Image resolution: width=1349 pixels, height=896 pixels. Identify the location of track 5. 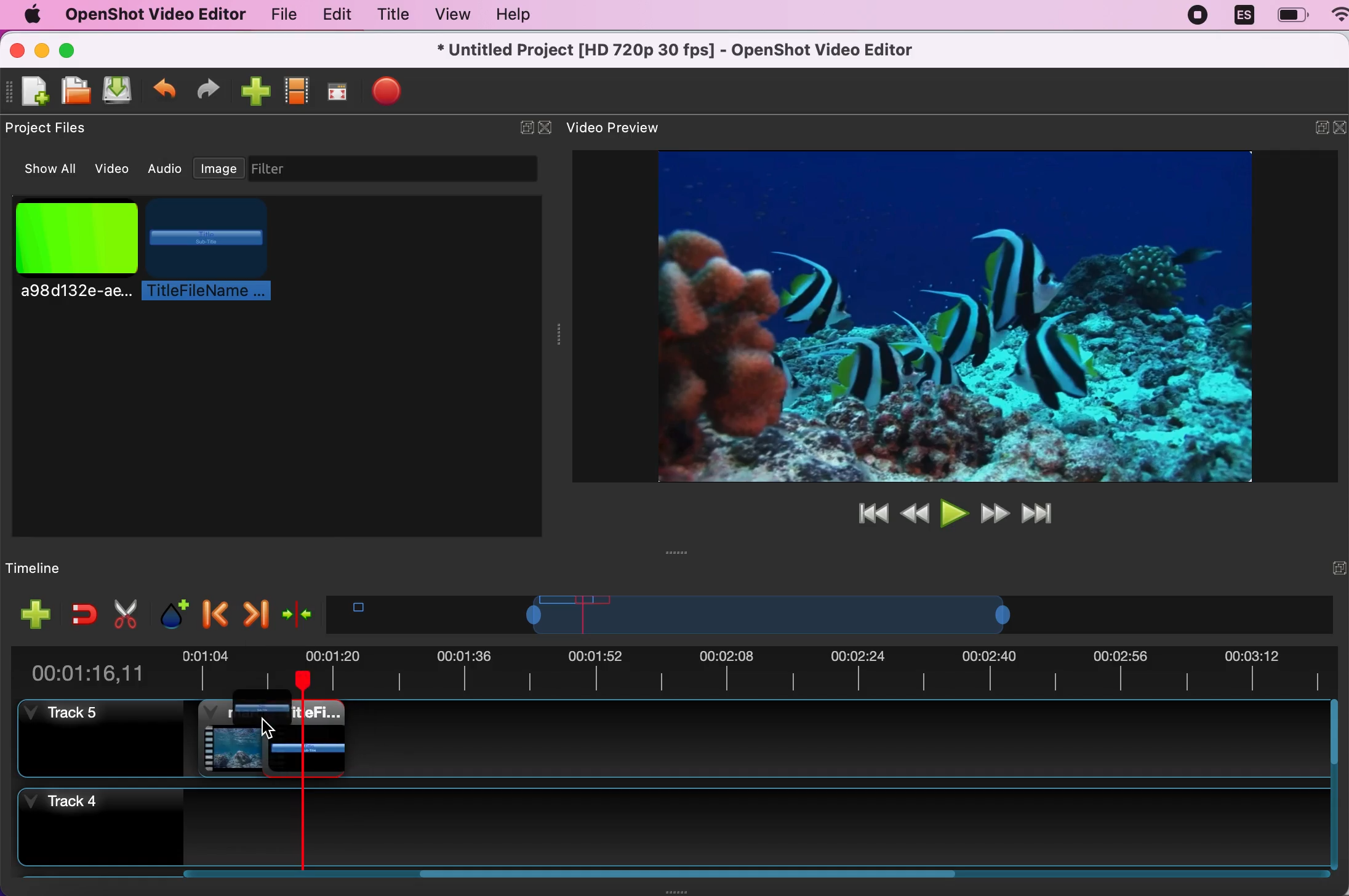
(100, 738).